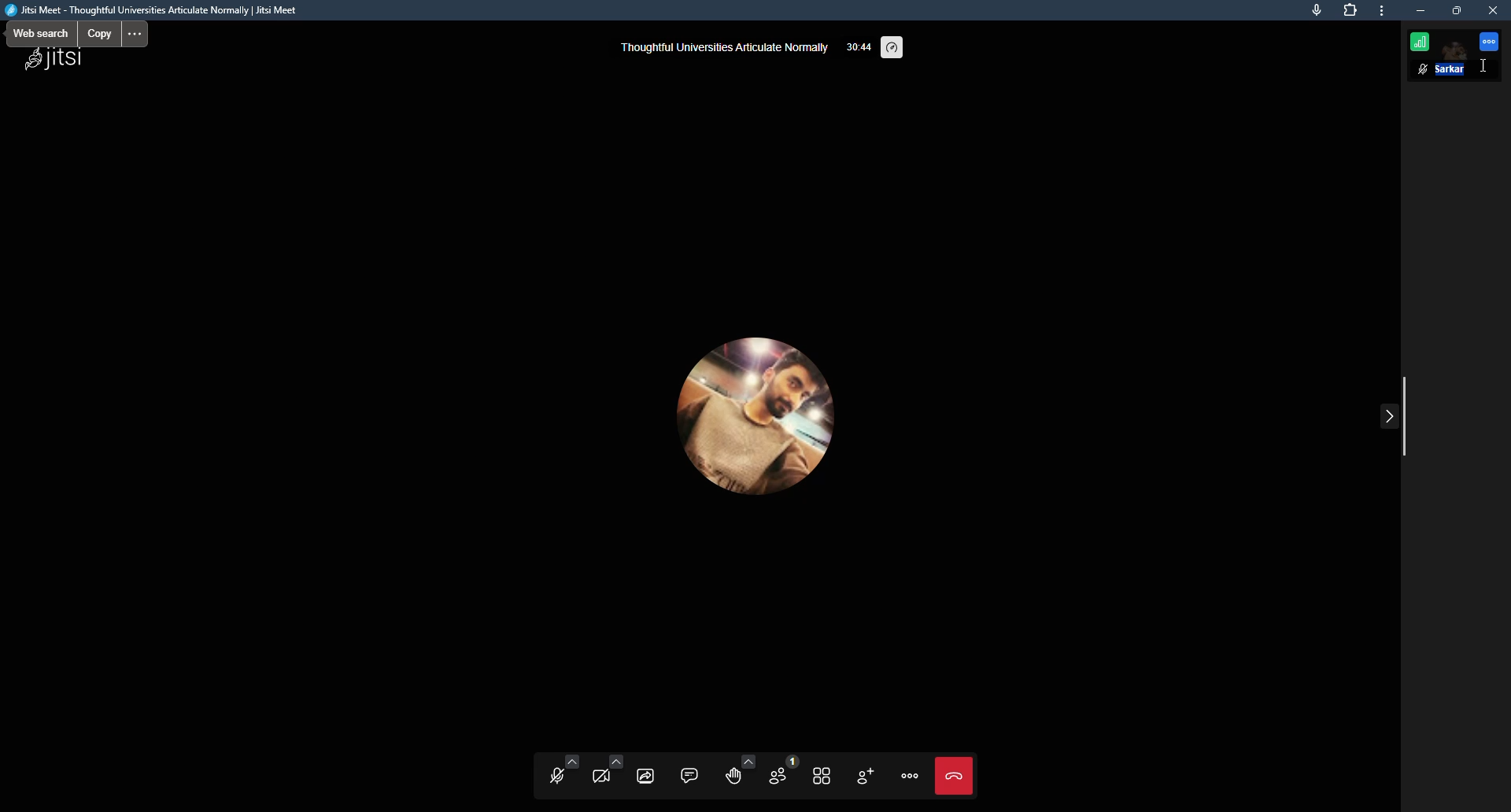  I want to click on 33:41, so click(856, 45).